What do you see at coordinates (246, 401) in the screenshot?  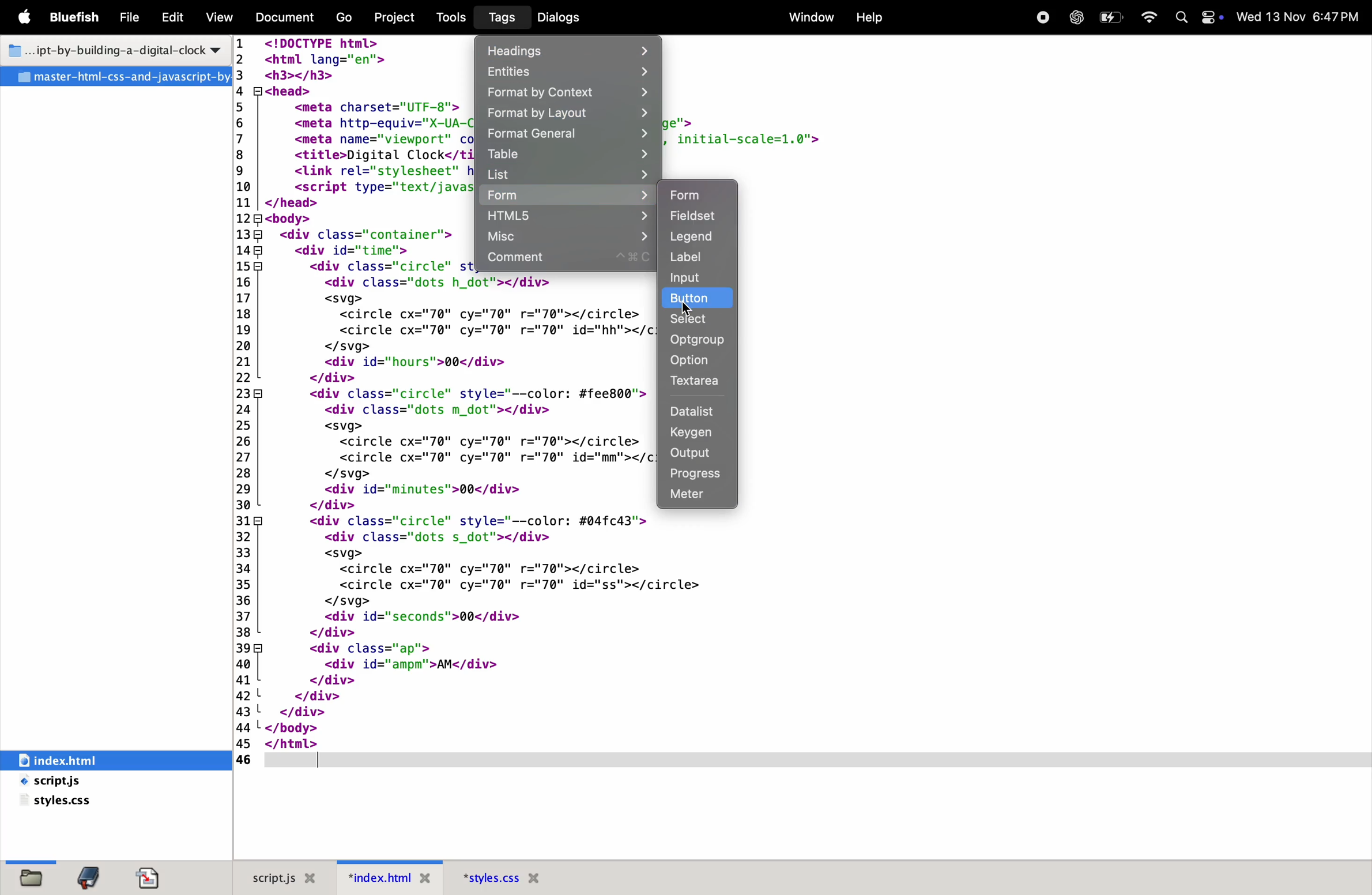 I see `Line numbers` at bounding box center [246, 401].